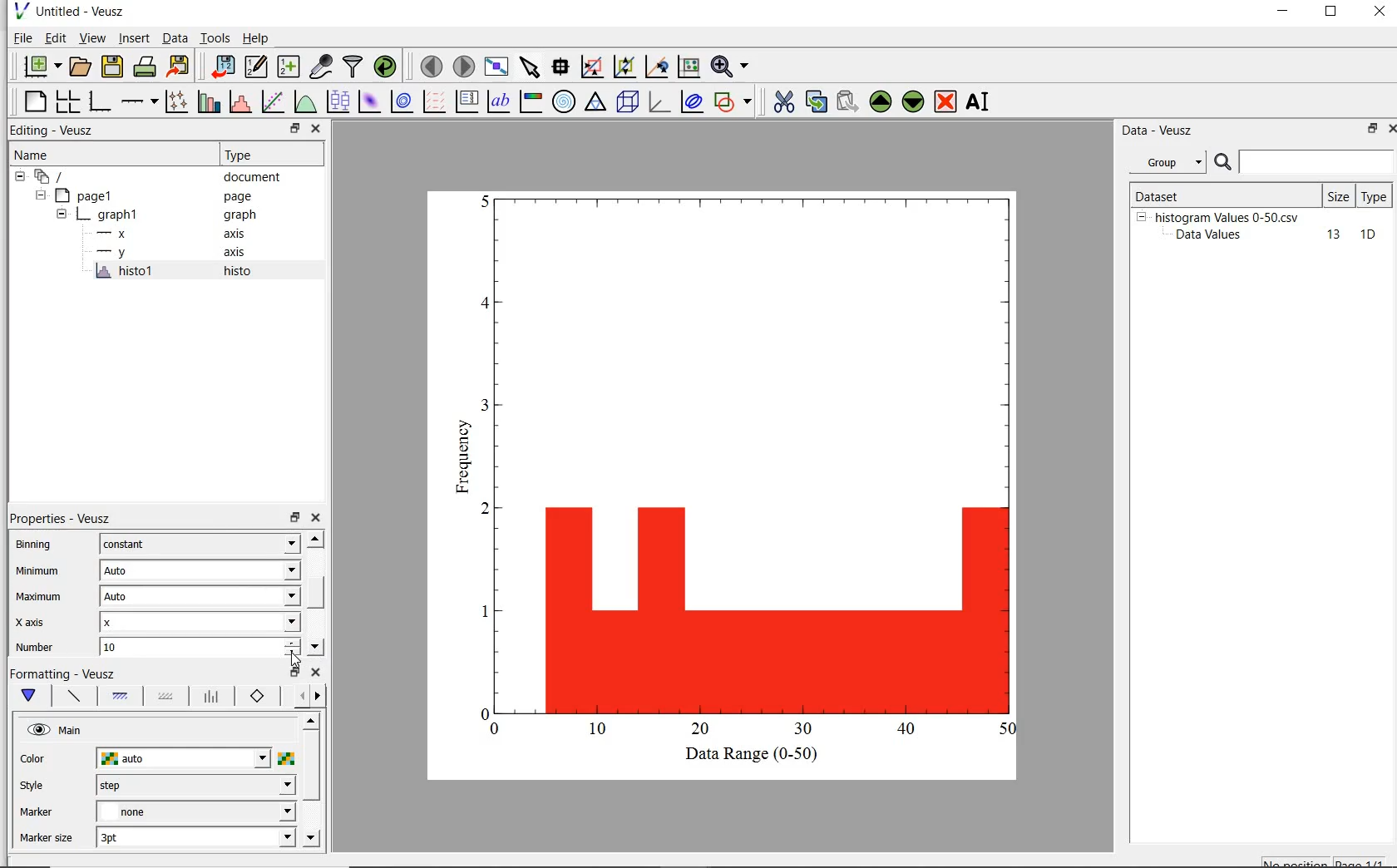  What do you see at coordinates (466, 101) in the screenshot?
I see `plot key` at bounding box center [466, 101].